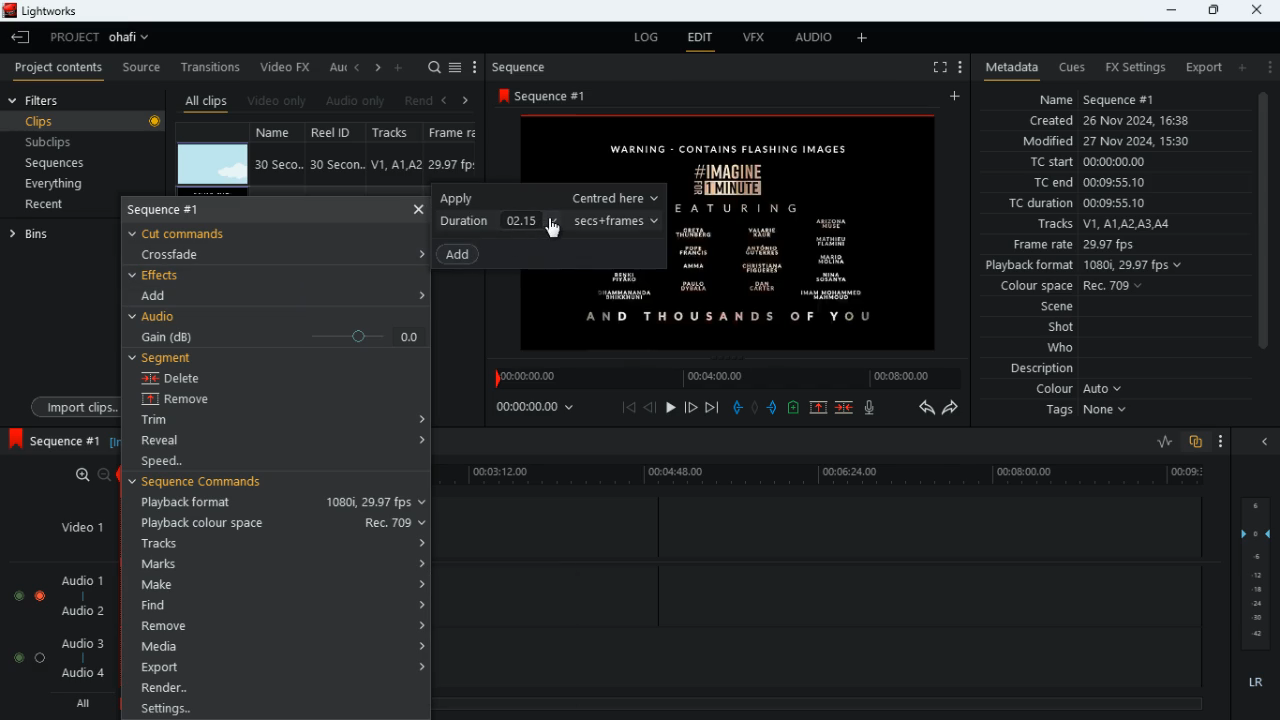 The width and height of the screenshot is (1280, 720). What do you see at coordinates (57, 163) in the screenshot?
I see `sequences` at bounding box center [57, 163].